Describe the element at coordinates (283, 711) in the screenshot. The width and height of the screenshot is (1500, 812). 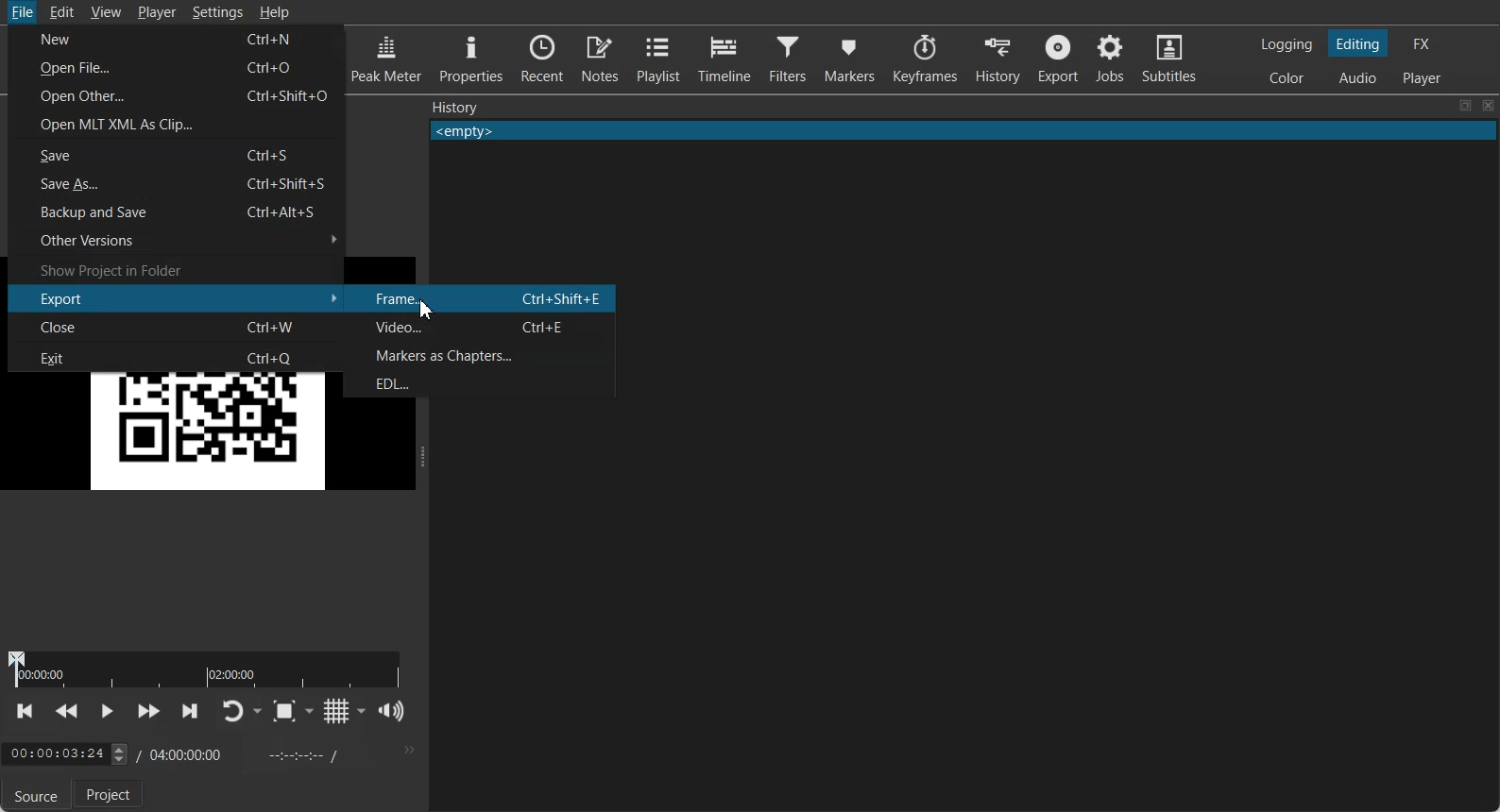
I see `Toggle Zoom` at that location.